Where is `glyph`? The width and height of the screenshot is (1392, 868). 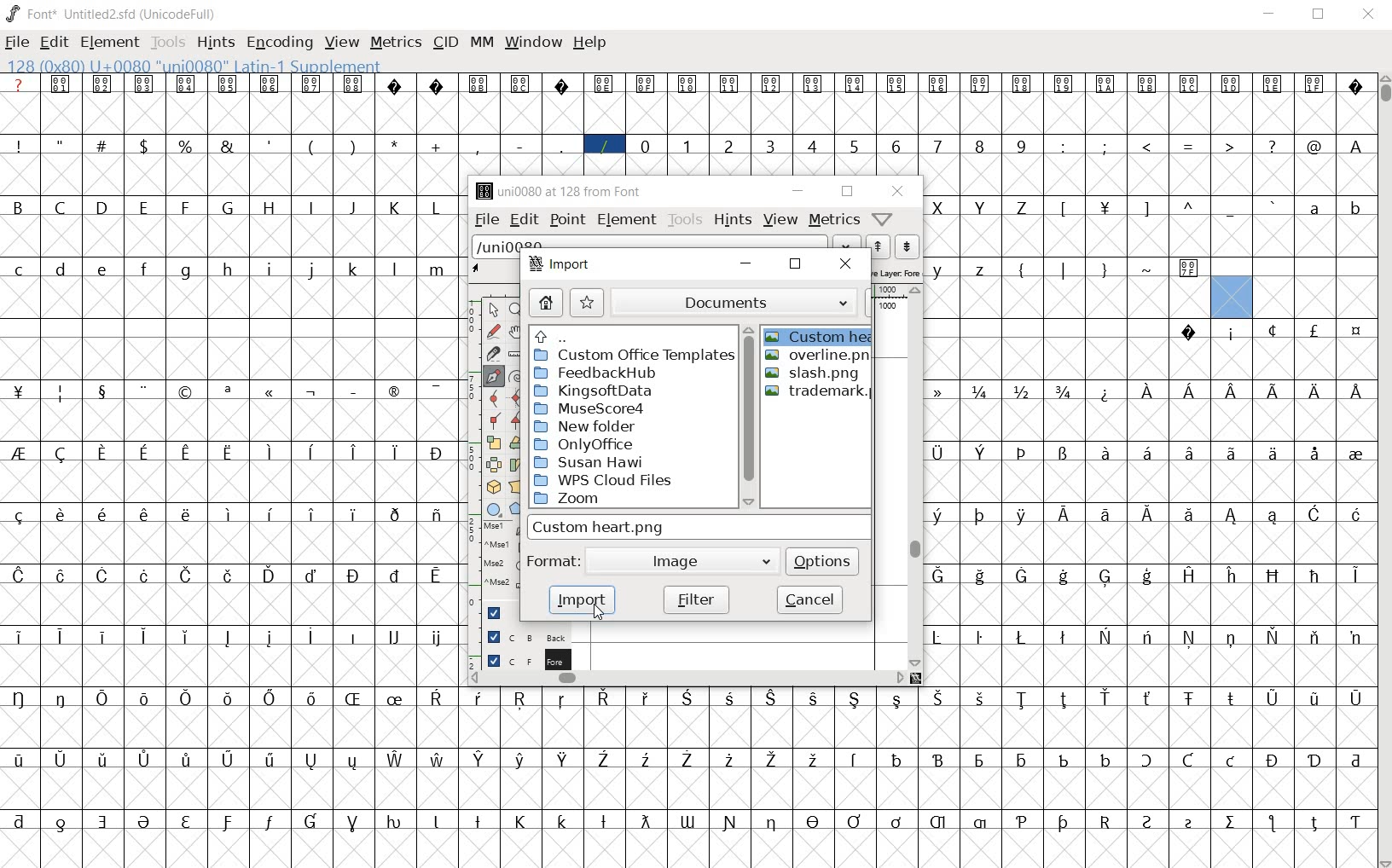
glyph is located at coordinates (270, 698).